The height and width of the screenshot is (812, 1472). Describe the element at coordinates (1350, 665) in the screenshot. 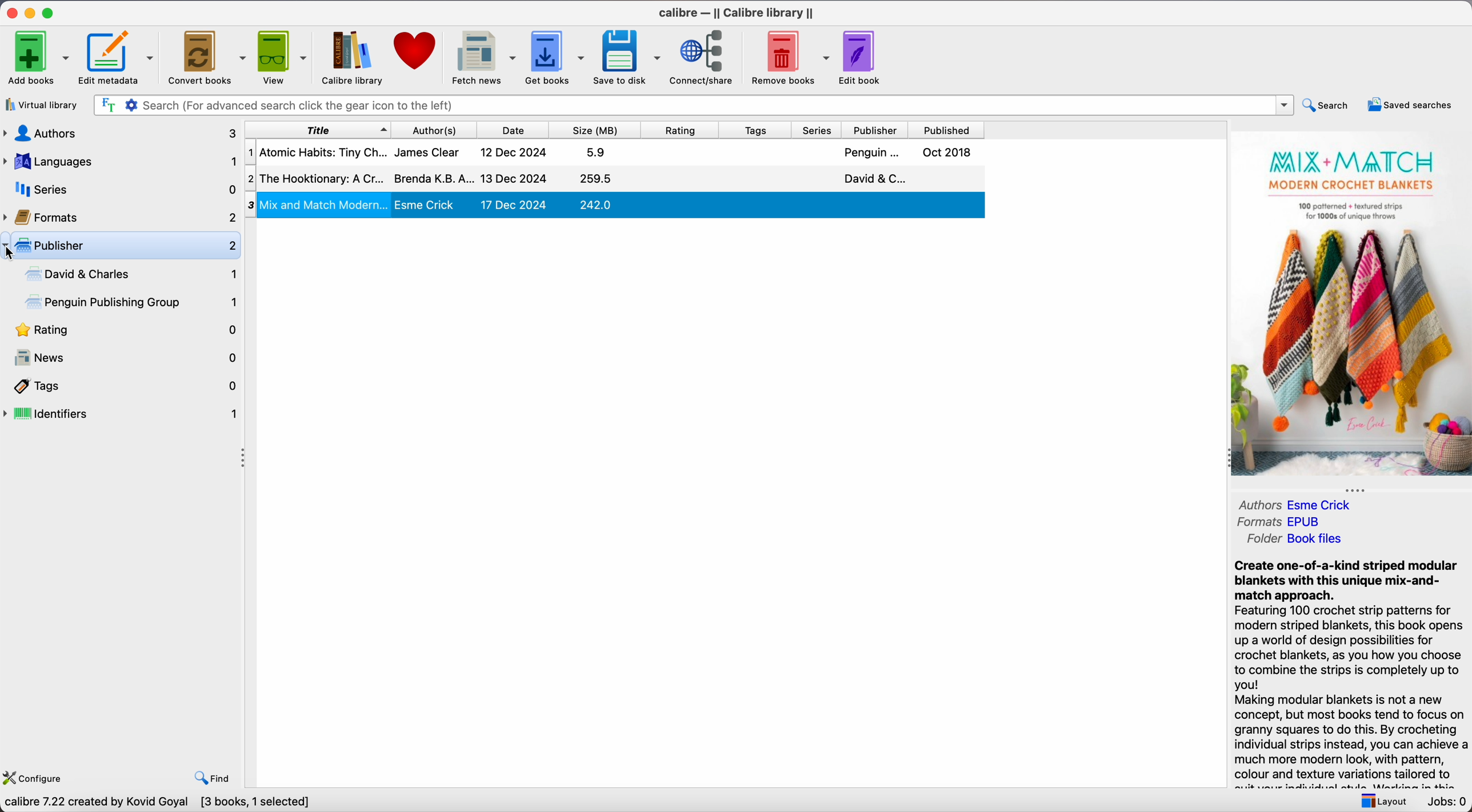

I see `synopsis` at that location.